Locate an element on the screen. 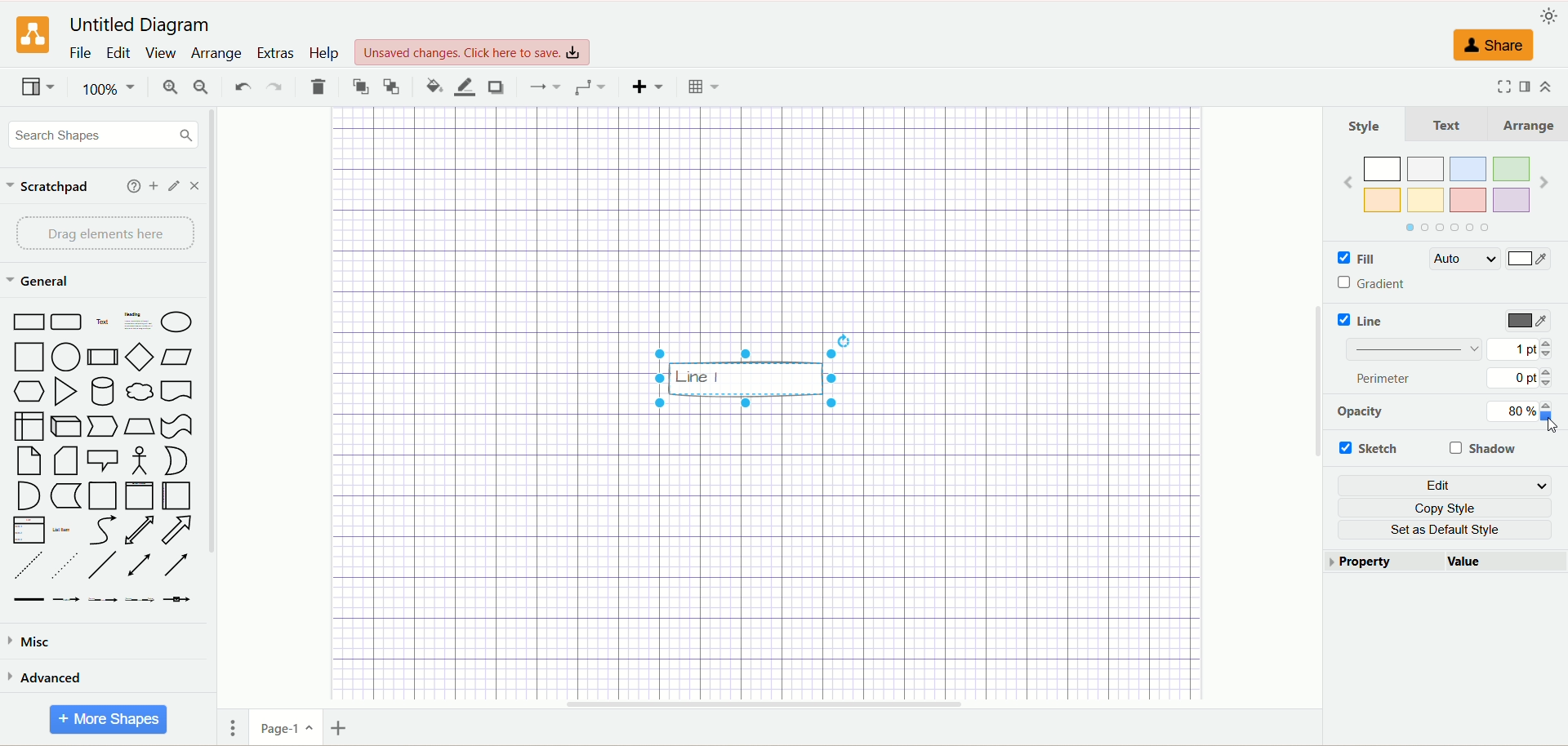 This screenshot has height=746, width=1568. Text is located at coordinates (104, 321).